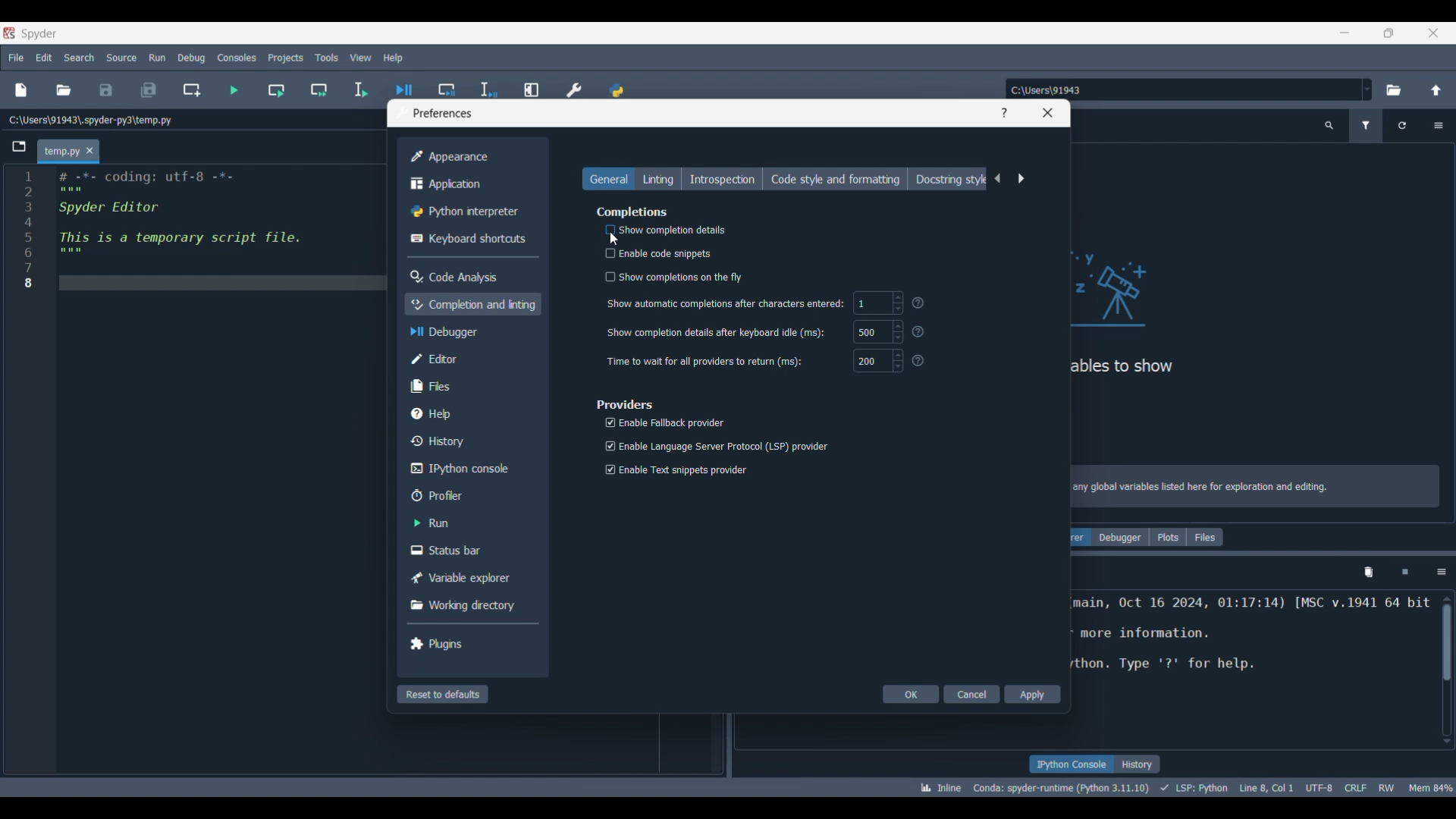  I want to click on 200, so click(878, 362).